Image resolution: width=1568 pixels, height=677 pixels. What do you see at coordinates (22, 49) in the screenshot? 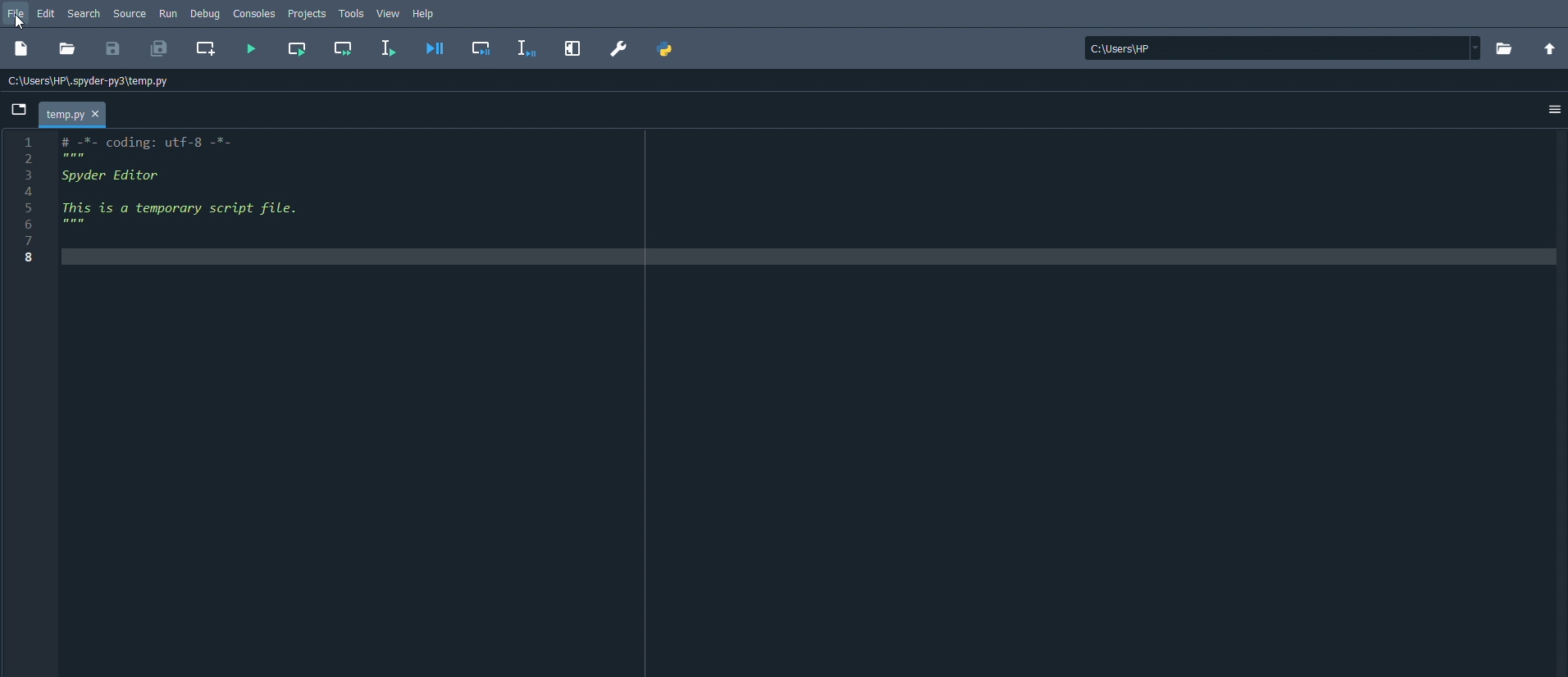
I see `New file` at bounding box center [22, 49].